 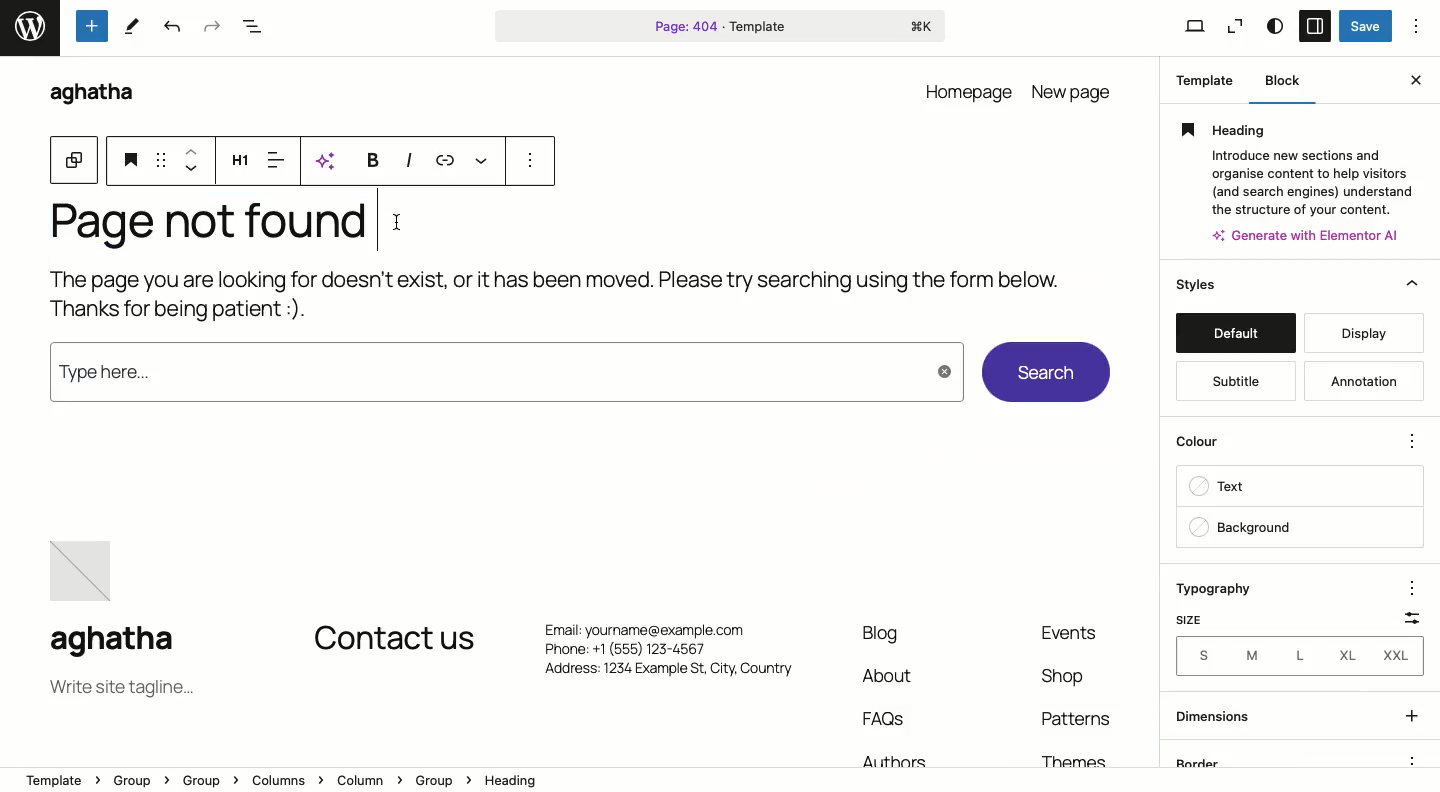 I want to click on Save, so click(x=1366, y=26).